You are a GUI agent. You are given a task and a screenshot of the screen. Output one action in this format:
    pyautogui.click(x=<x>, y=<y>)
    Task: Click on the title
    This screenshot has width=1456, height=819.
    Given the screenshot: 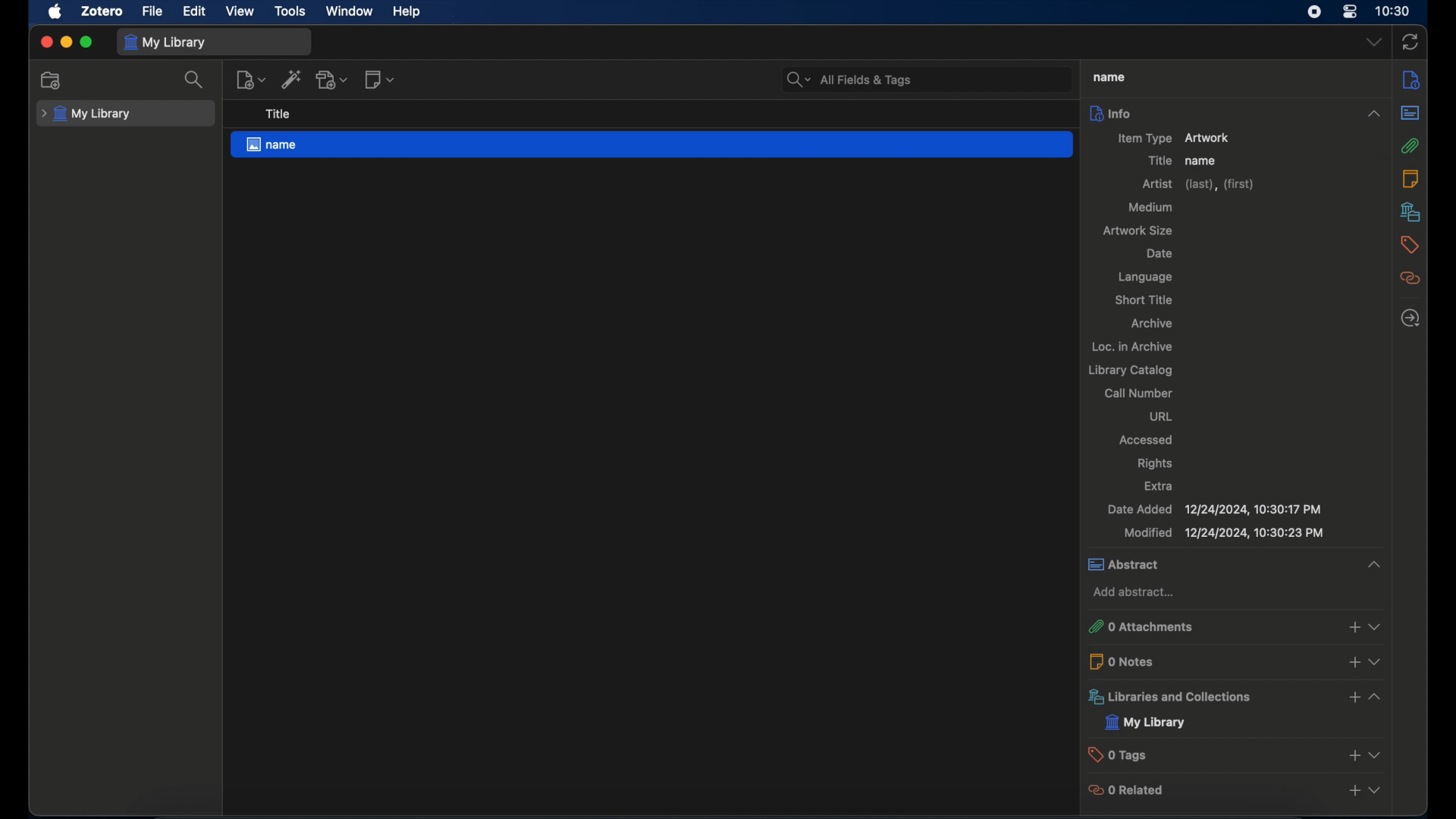 What is the action you would take?
    pyautogui.click(x=277, y=115)
    